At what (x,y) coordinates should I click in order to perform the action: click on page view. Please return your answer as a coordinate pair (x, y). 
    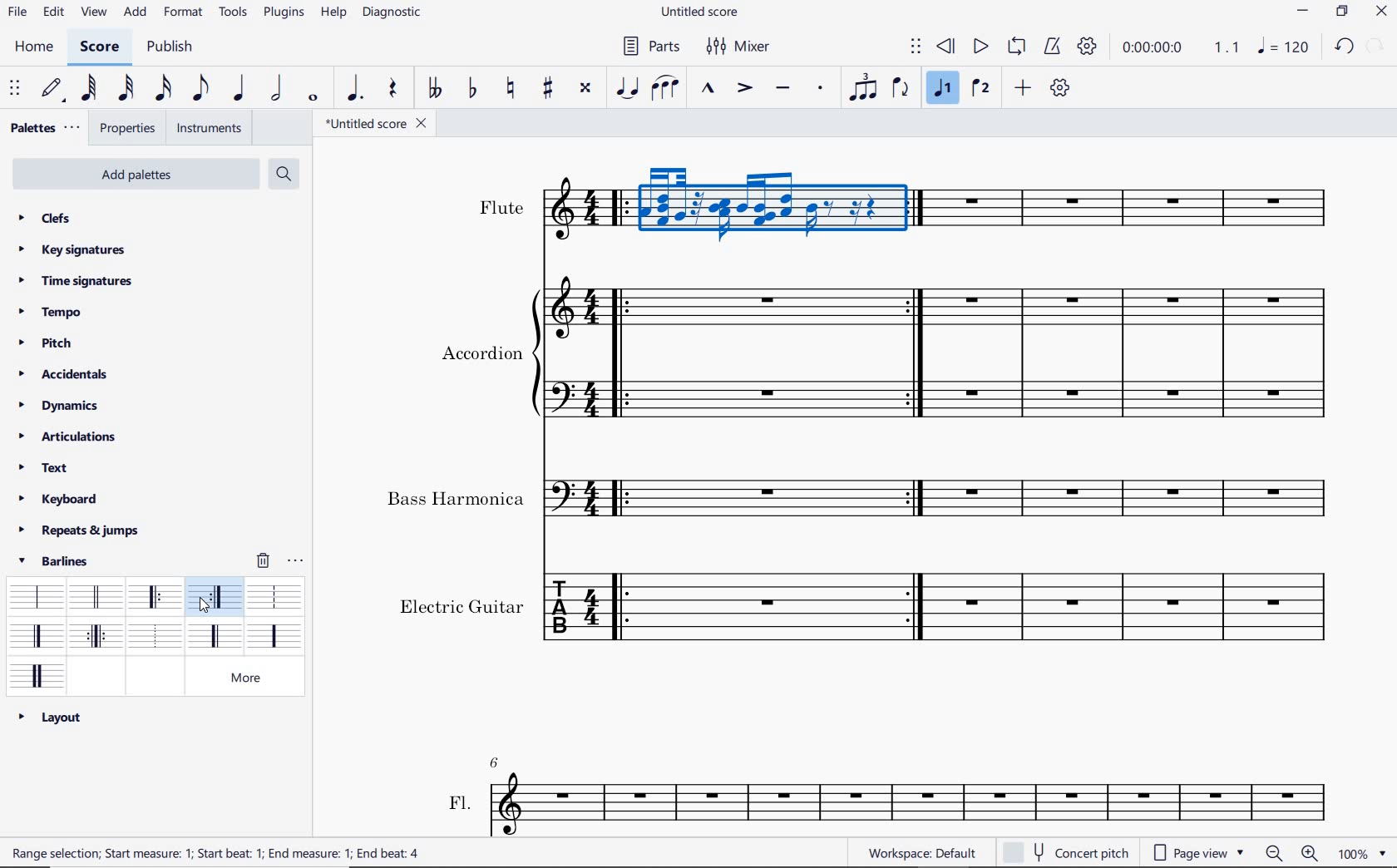
    Looking at the image, I should click on (1202, 851).